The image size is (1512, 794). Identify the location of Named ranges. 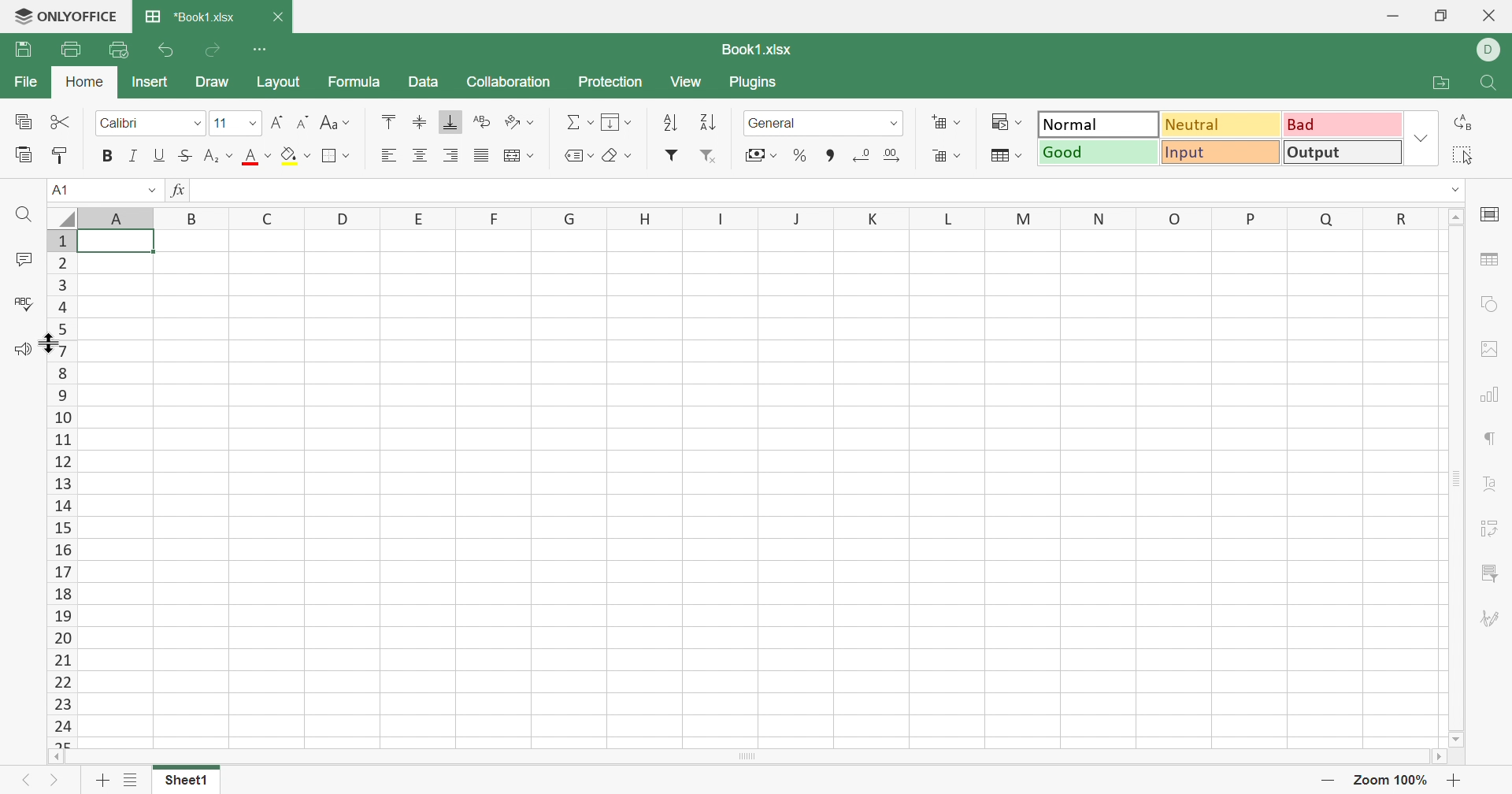
(580, 155).